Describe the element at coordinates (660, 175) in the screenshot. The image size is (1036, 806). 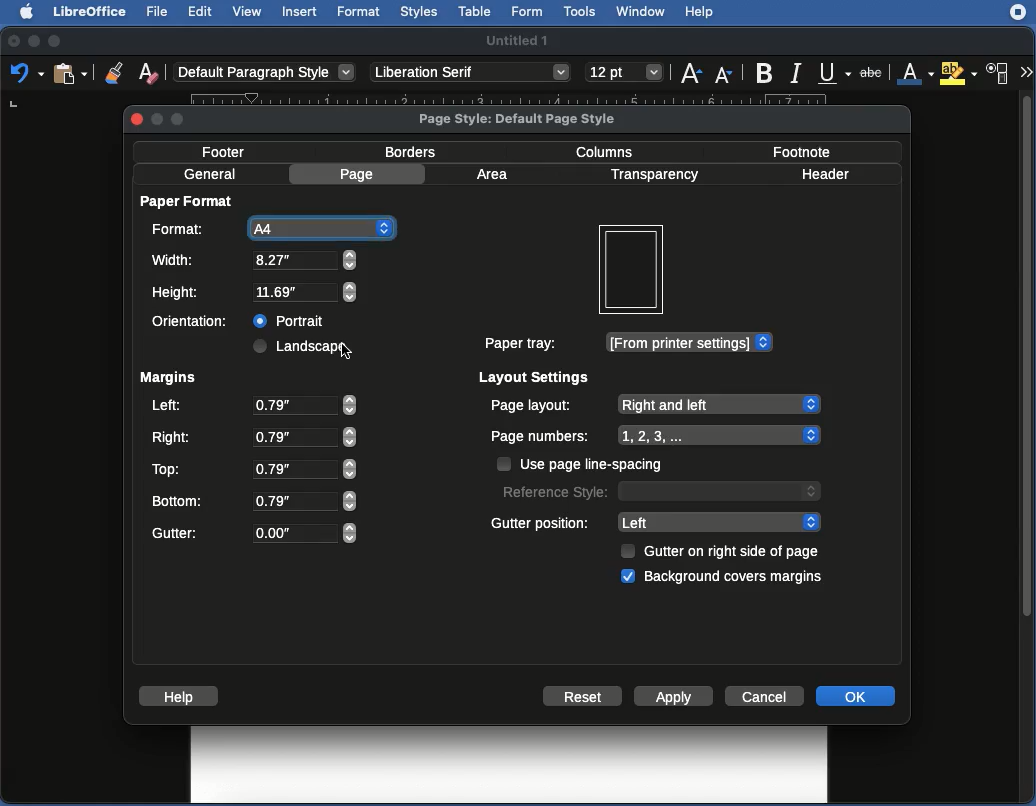
I see `Transparency` at that location.